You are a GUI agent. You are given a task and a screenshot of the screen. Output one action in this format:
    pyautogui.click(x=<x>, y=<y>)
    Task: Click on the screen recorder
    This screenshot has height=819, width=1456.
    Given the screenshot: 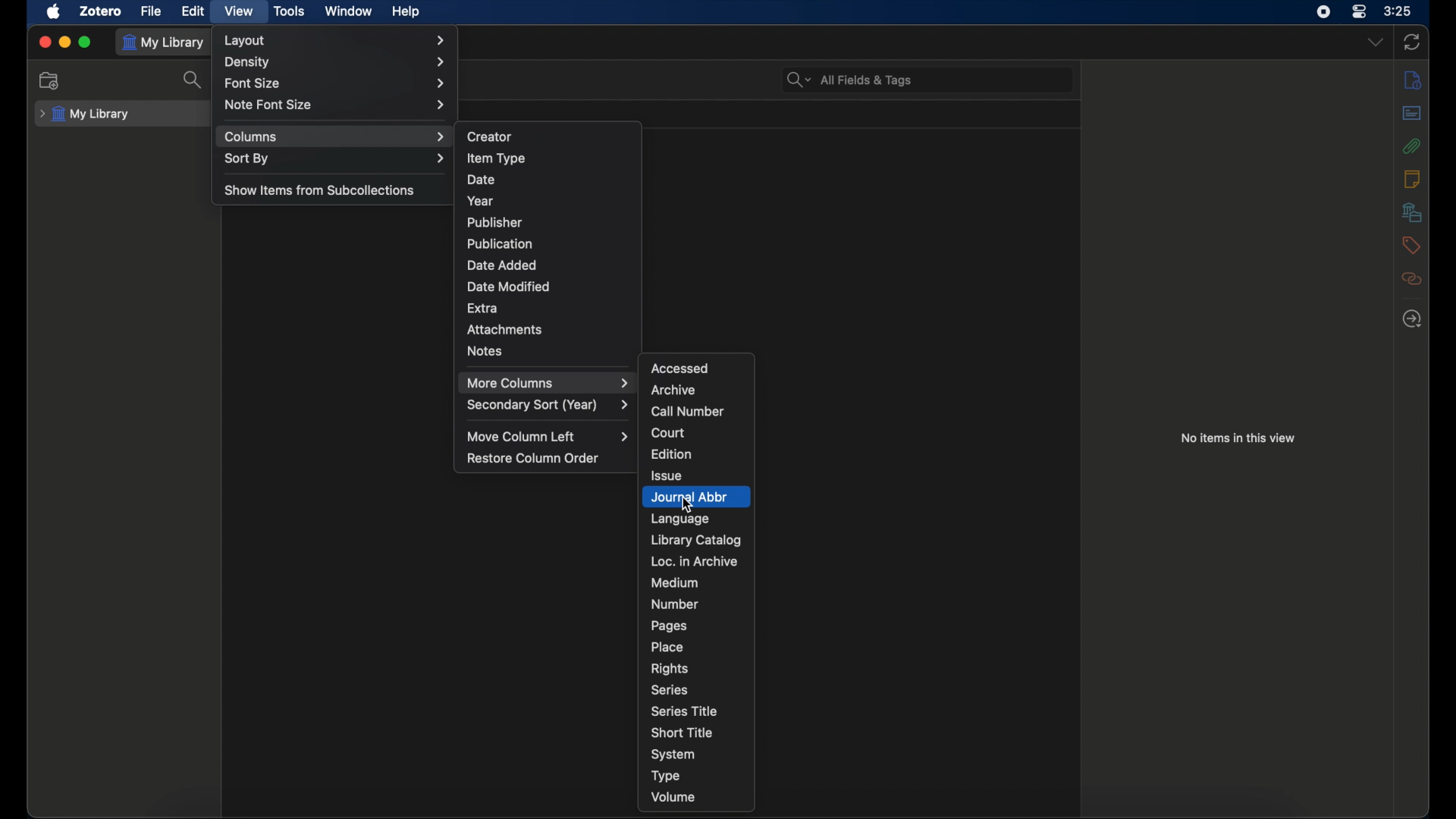 What is the action you would take?
    pyautogui.click(x=1323, y=11)
    